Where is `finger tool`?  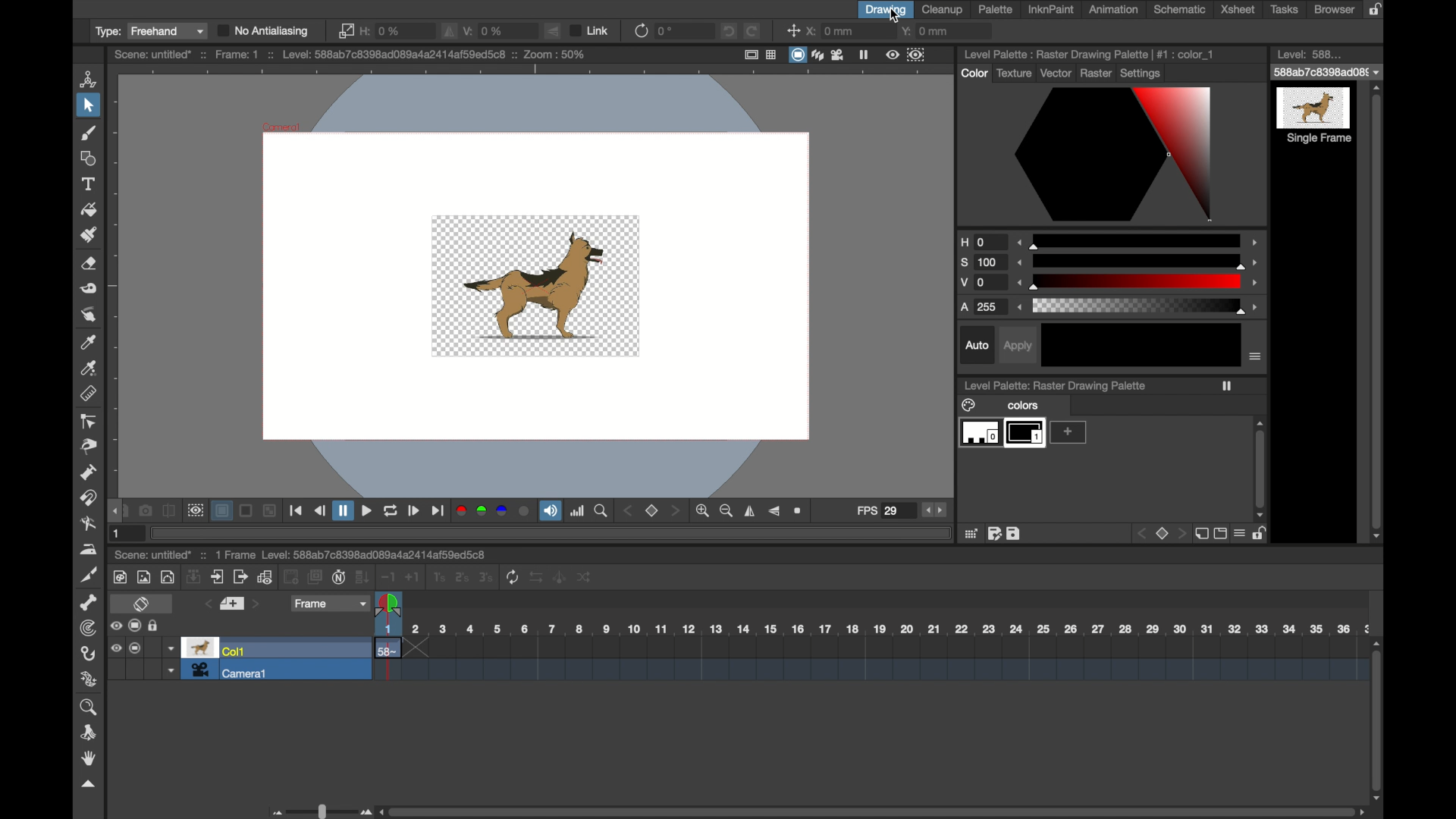
finger tool is located at coordinates (87, 315).